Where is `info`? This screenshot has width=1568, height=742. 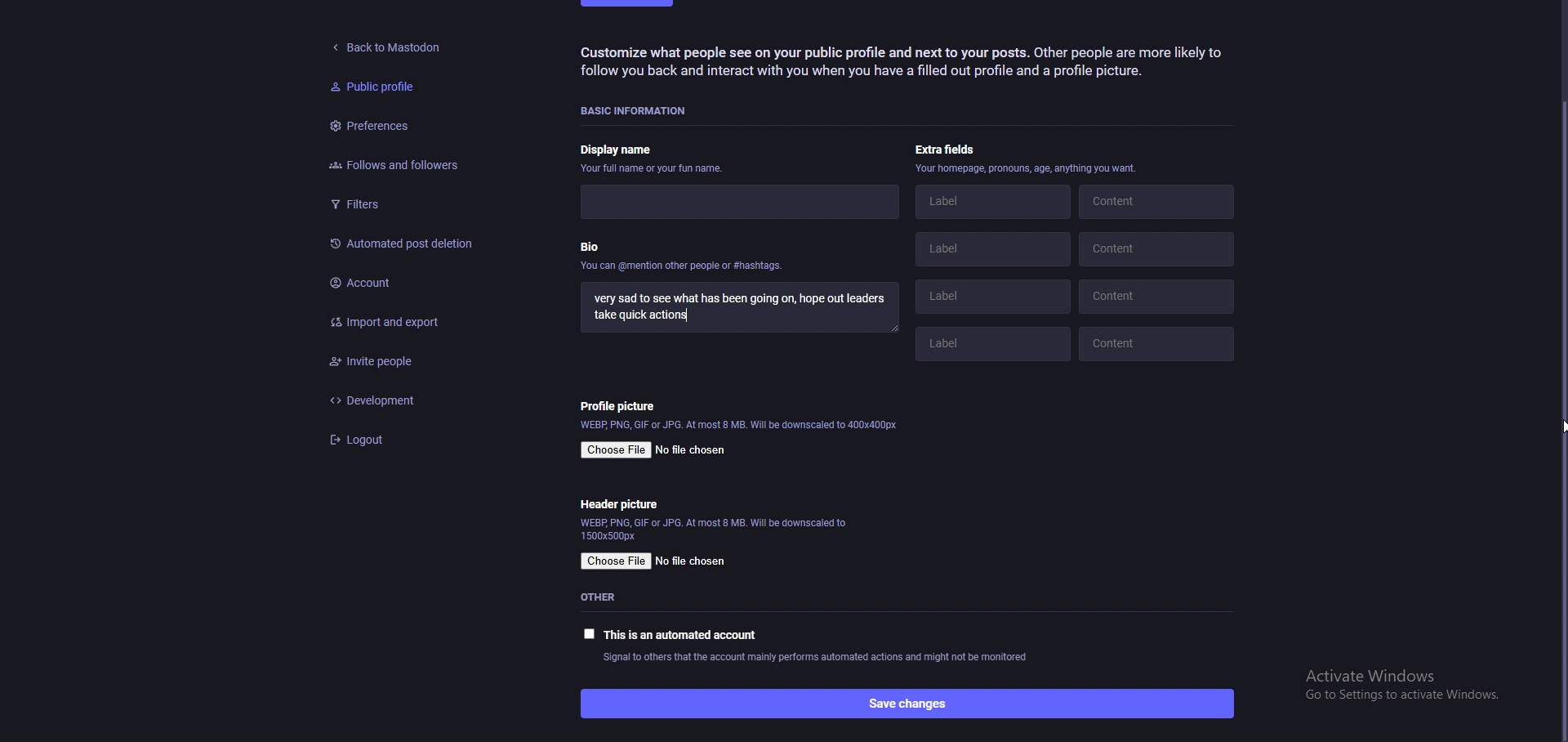 info is located at coordinates (1027, 170).